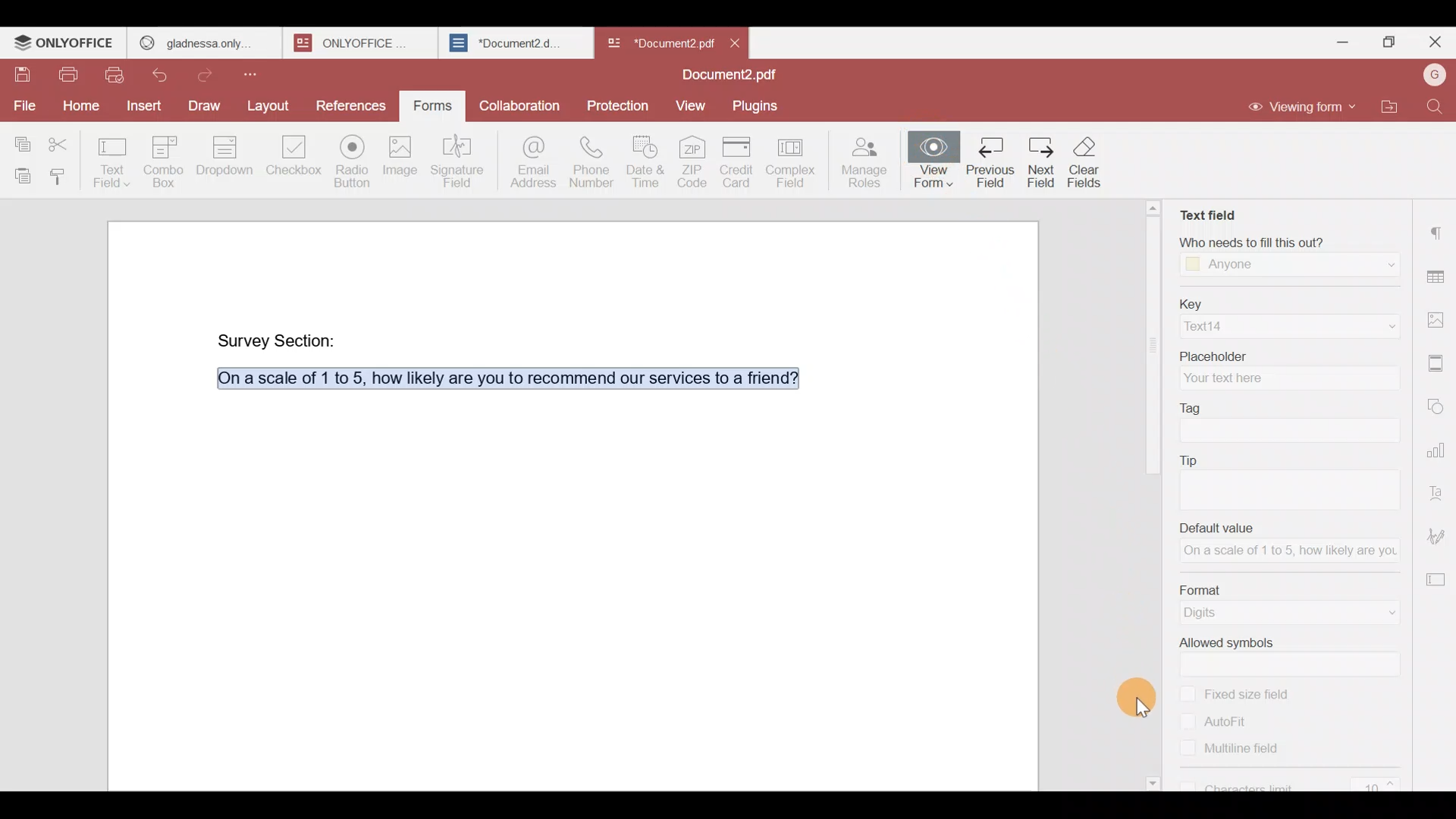  Describe the element at coordinates (1296, 242) in the screenshot. I see `‘Who needs to fill this out?` at that location.